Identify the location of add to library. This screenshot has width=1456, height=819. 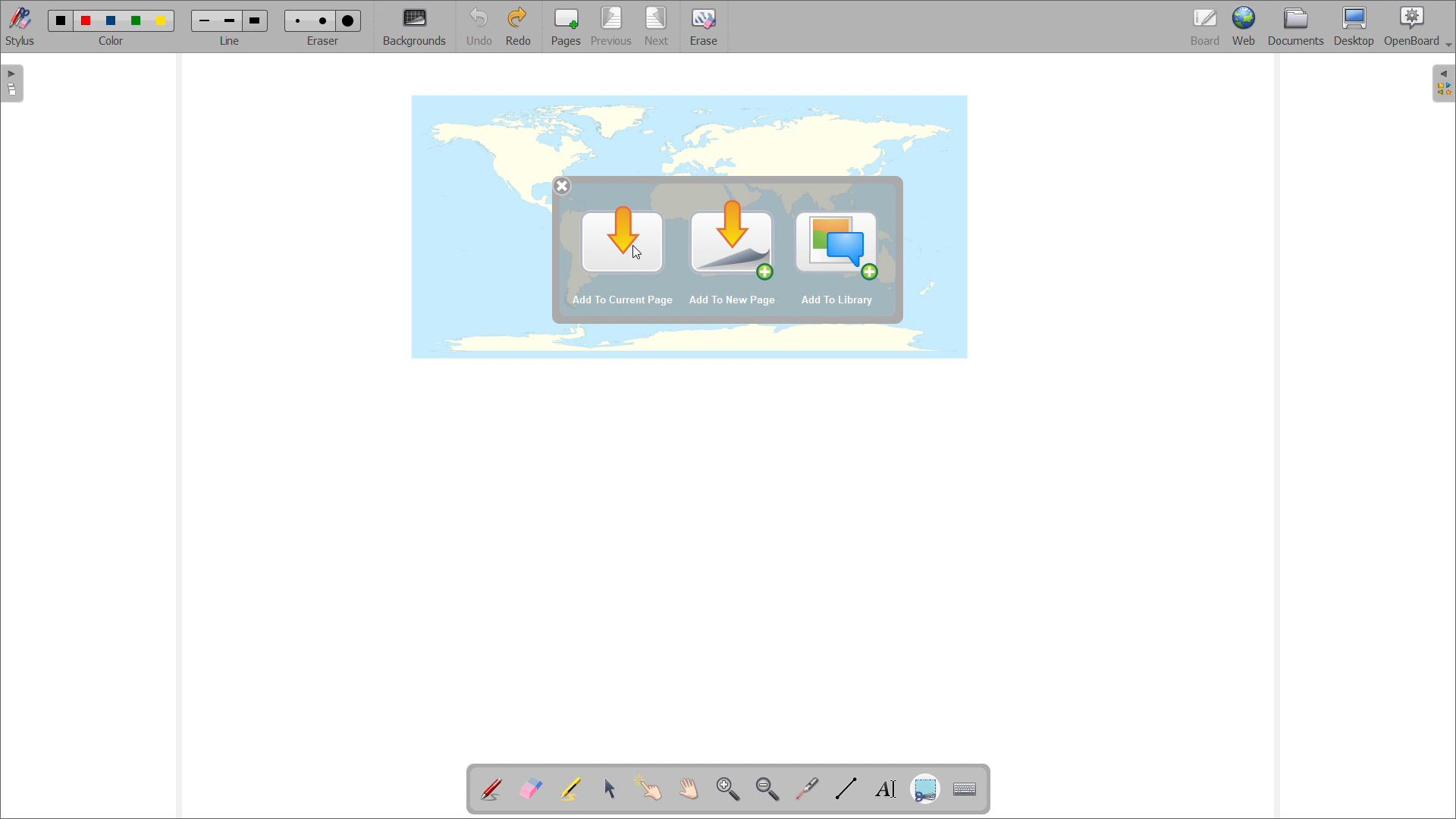
(837, 245).